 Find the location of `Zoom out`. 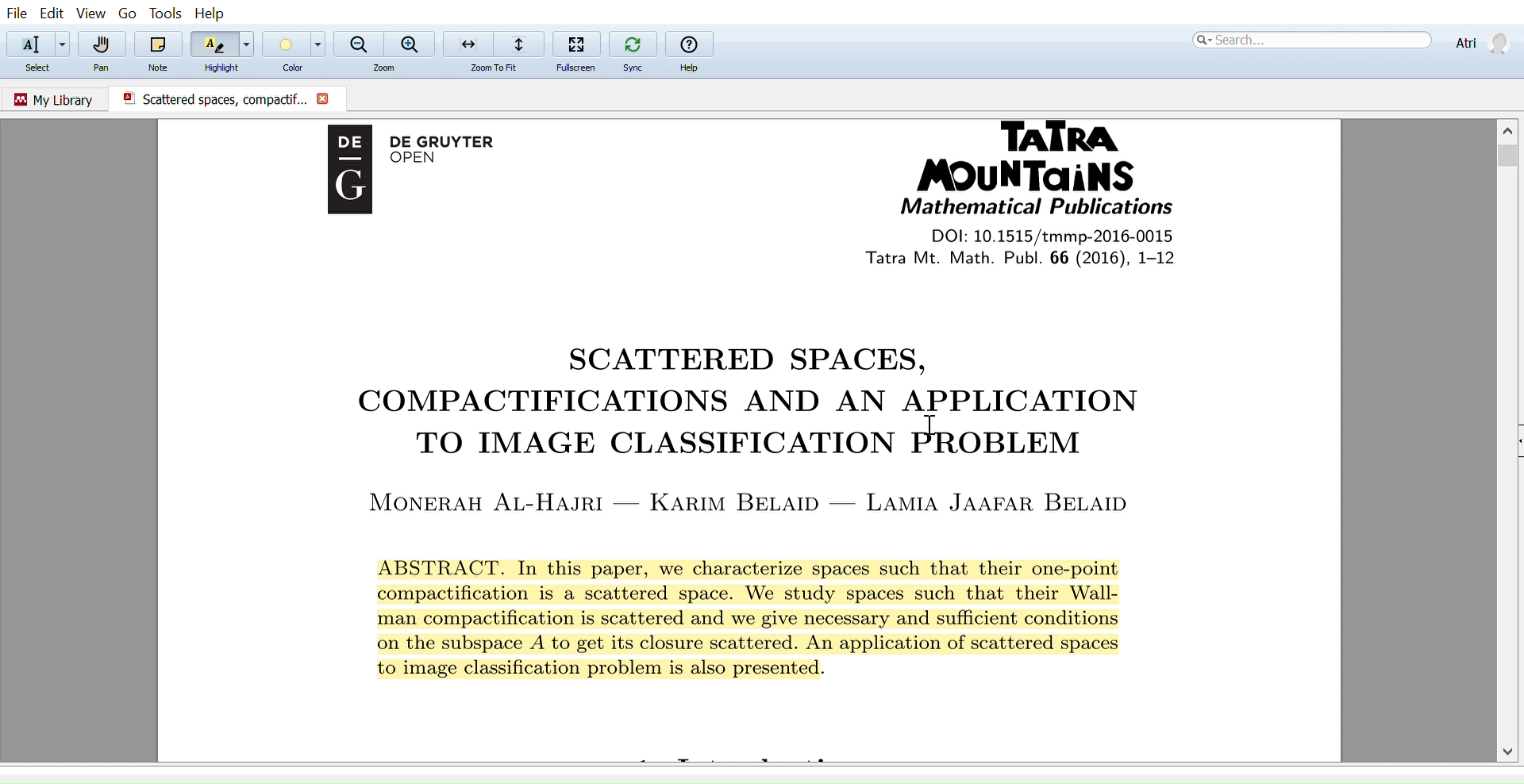

Zoom out is located at coordinates (359, 42).